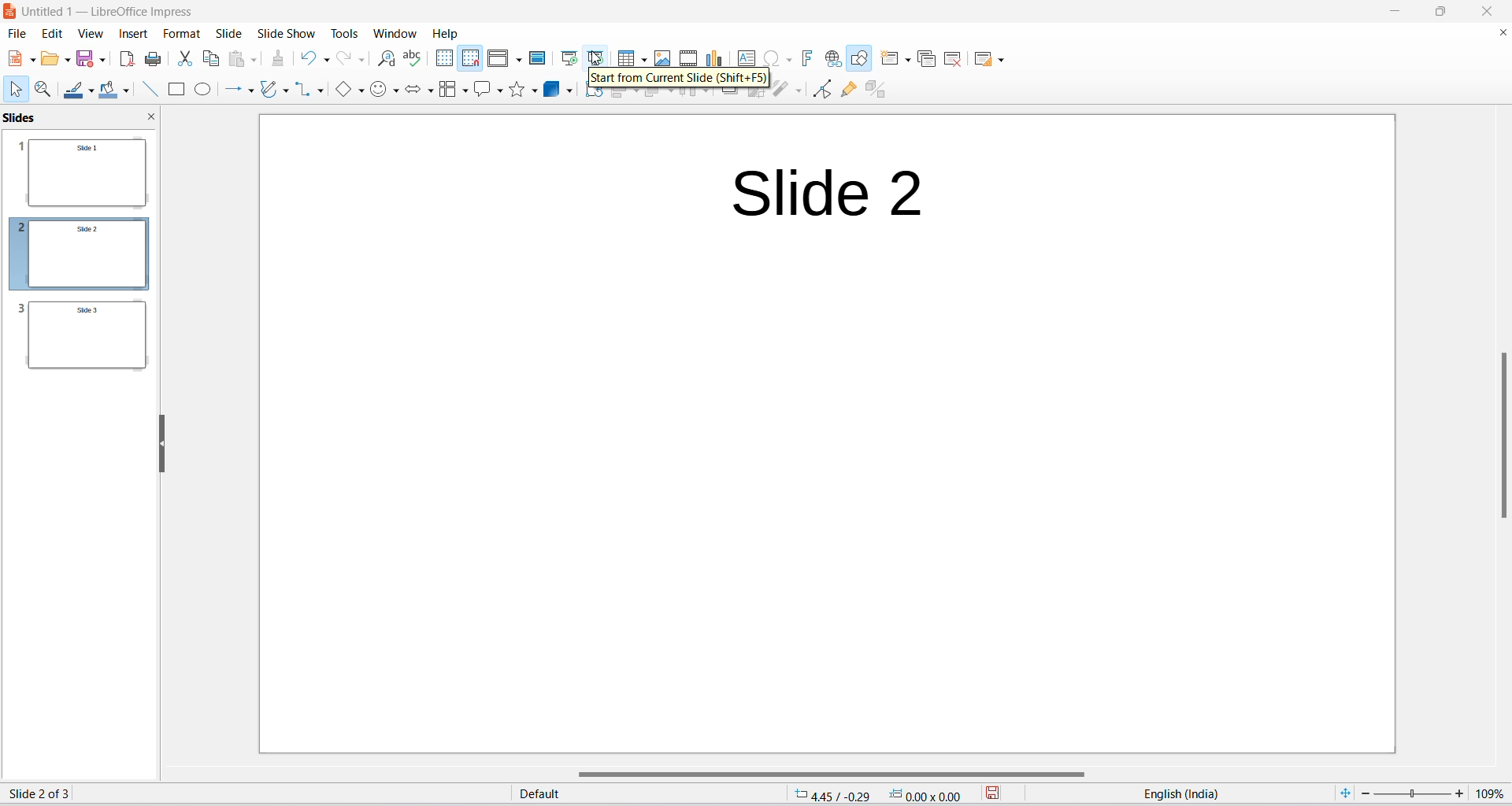 The height and width of the screenshot is (806, 1512). What do you see at coordinates (1165, 794) in the screenshot?
I see `text languages` at bounding box center [1165, 794].